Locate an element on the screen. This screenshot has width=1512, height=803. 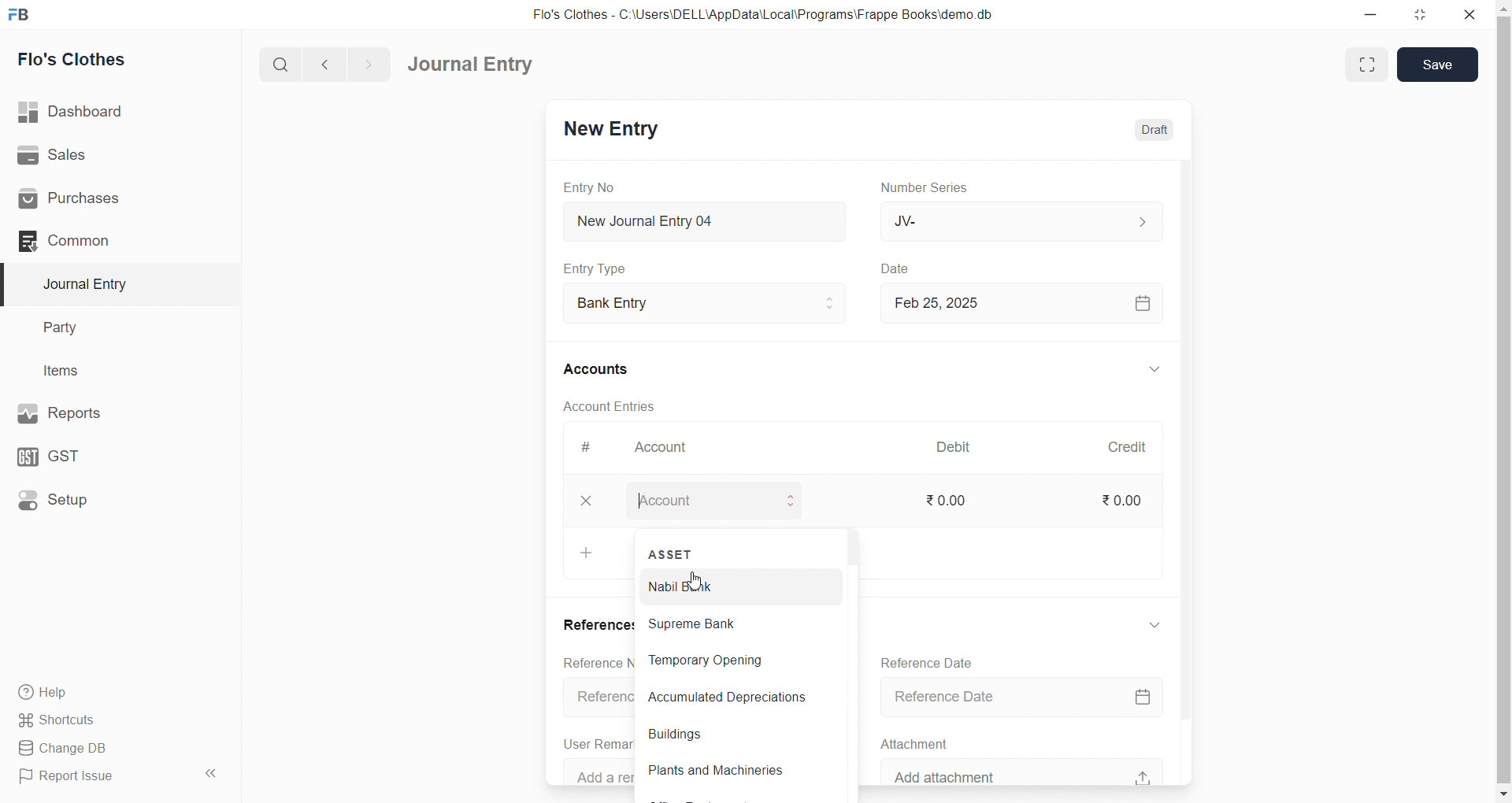
Expand/collapse is located at coordinates (1154, 624).